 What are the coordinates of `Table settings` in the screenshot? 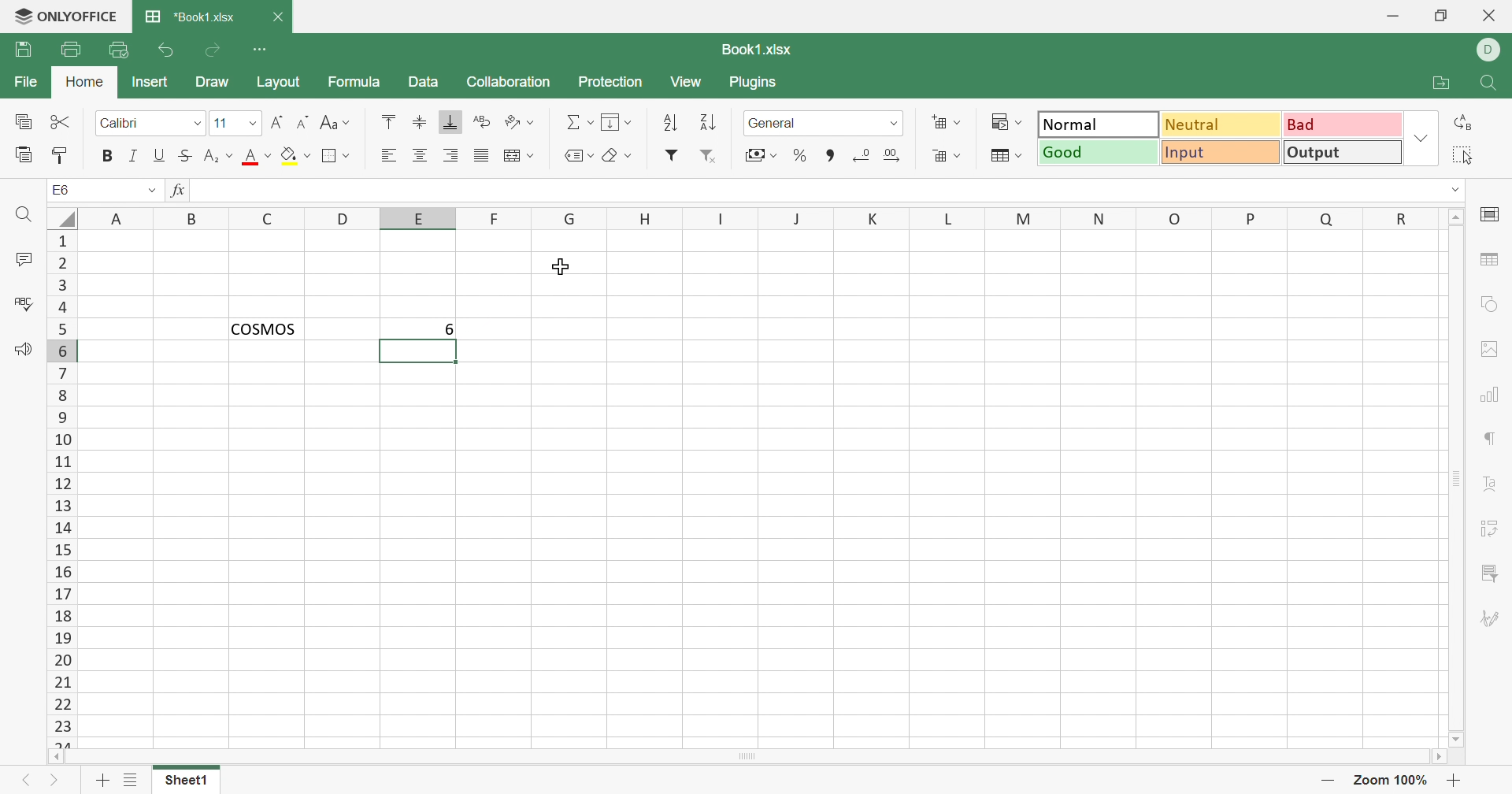 It's located at (1489, 258).